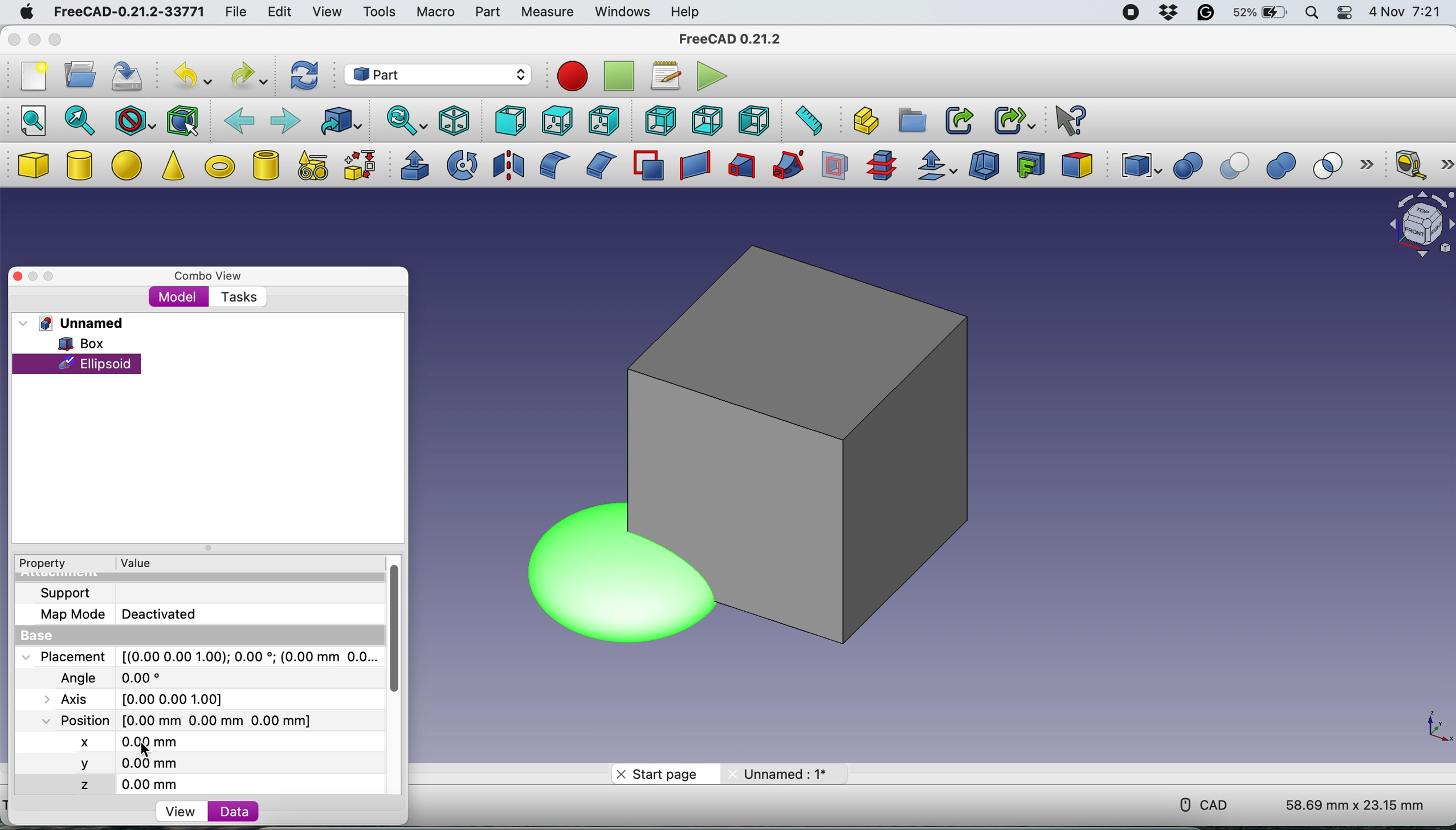  Describe the element at coordinates (683, 11) in the screenshot. I see `help` at that location.